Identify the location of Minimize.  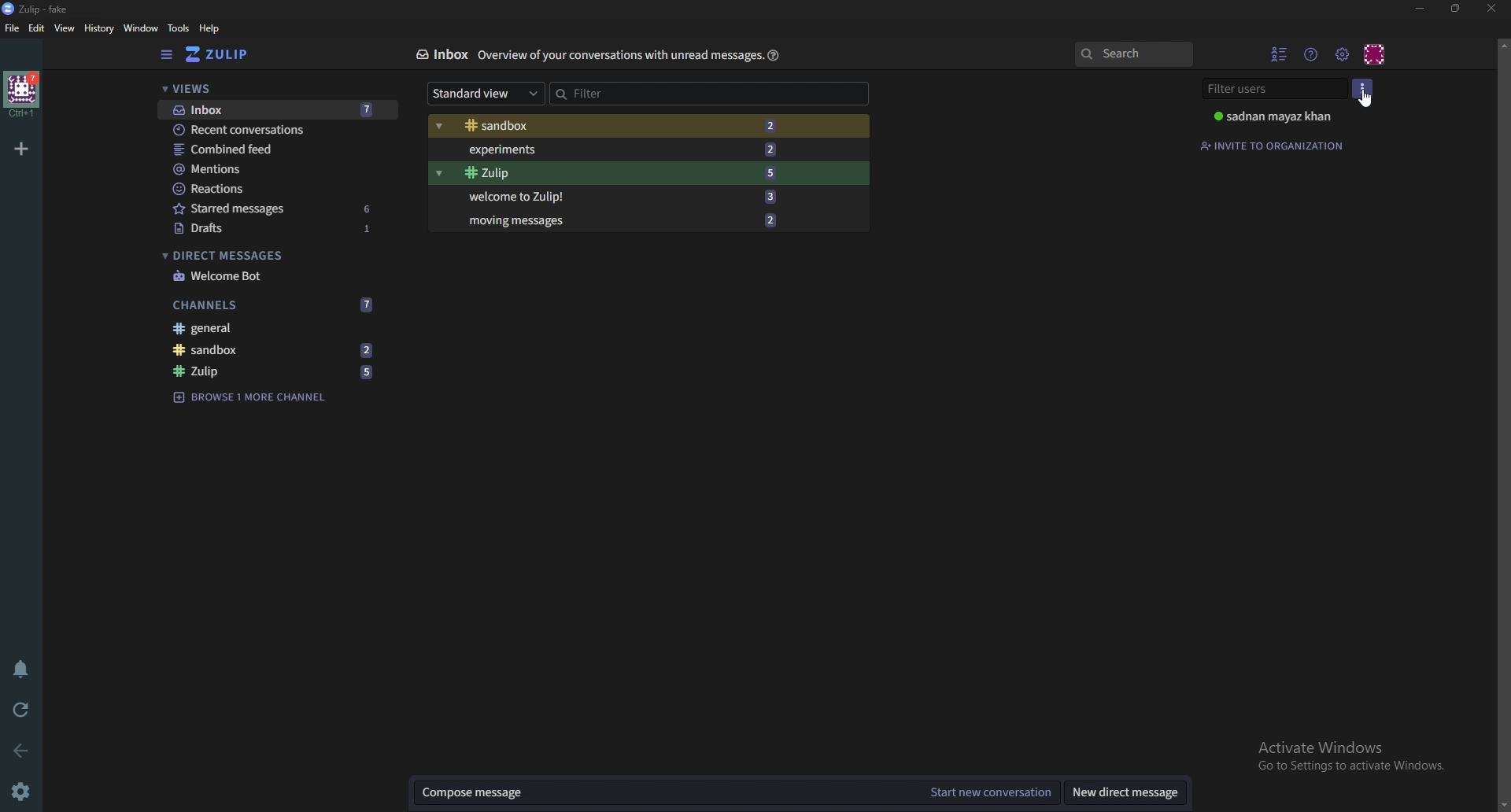
(1420, 9).